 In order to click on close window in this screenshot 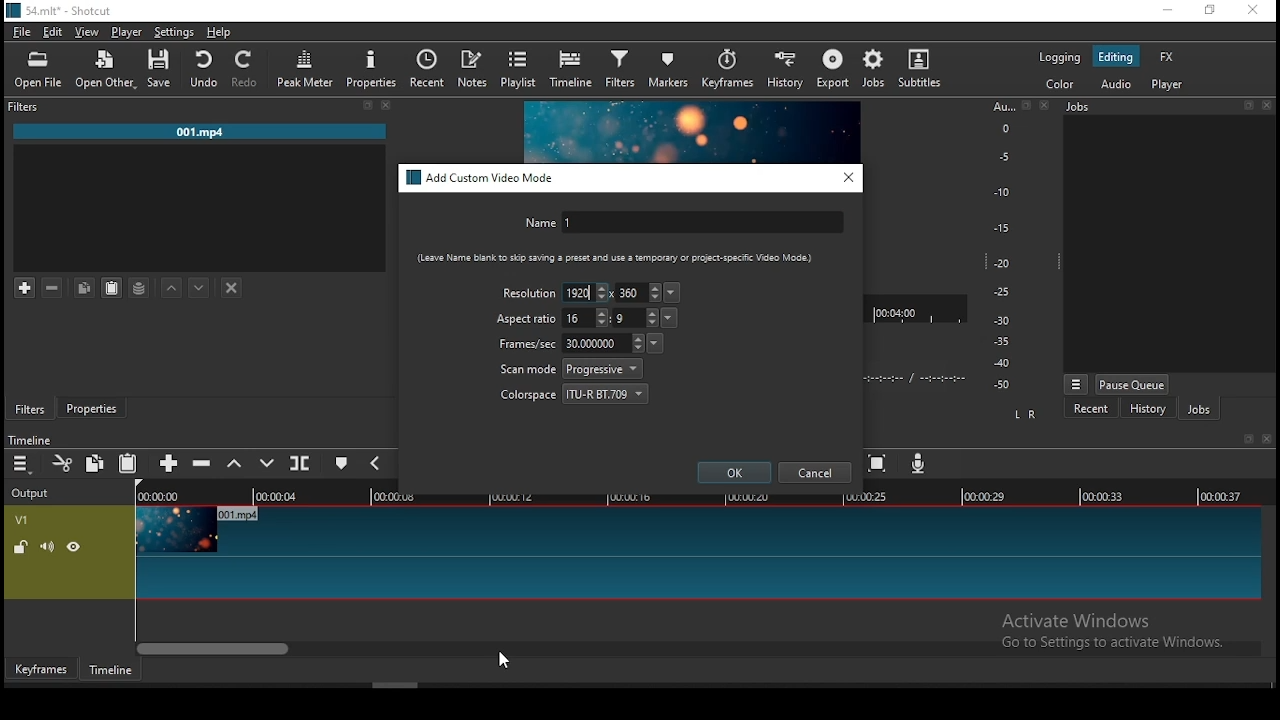, I will do `click(1252, 11)`.